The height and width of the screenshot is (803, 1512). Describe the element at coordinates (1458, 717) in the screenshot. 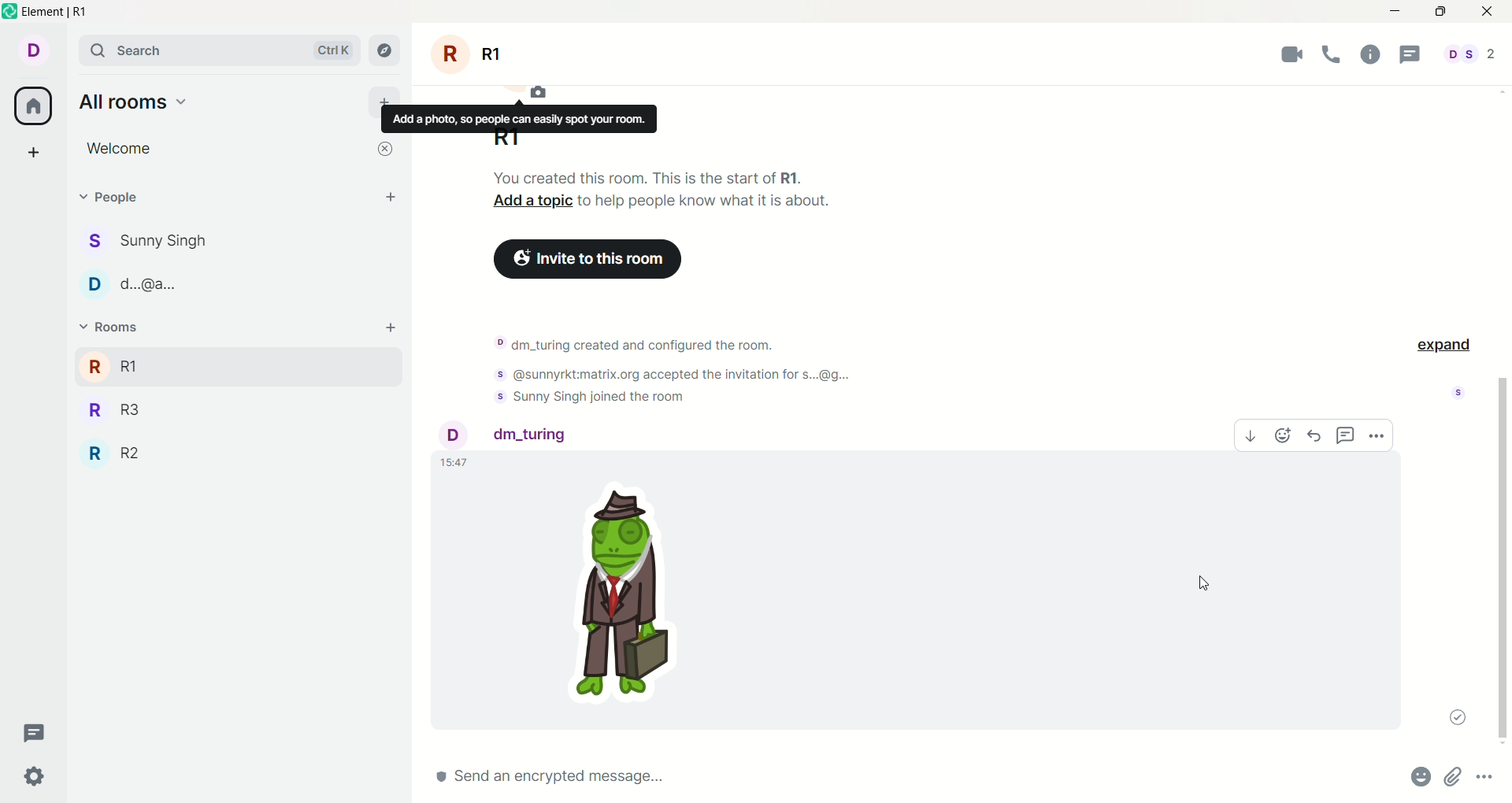

I see `Message sent` at that location.